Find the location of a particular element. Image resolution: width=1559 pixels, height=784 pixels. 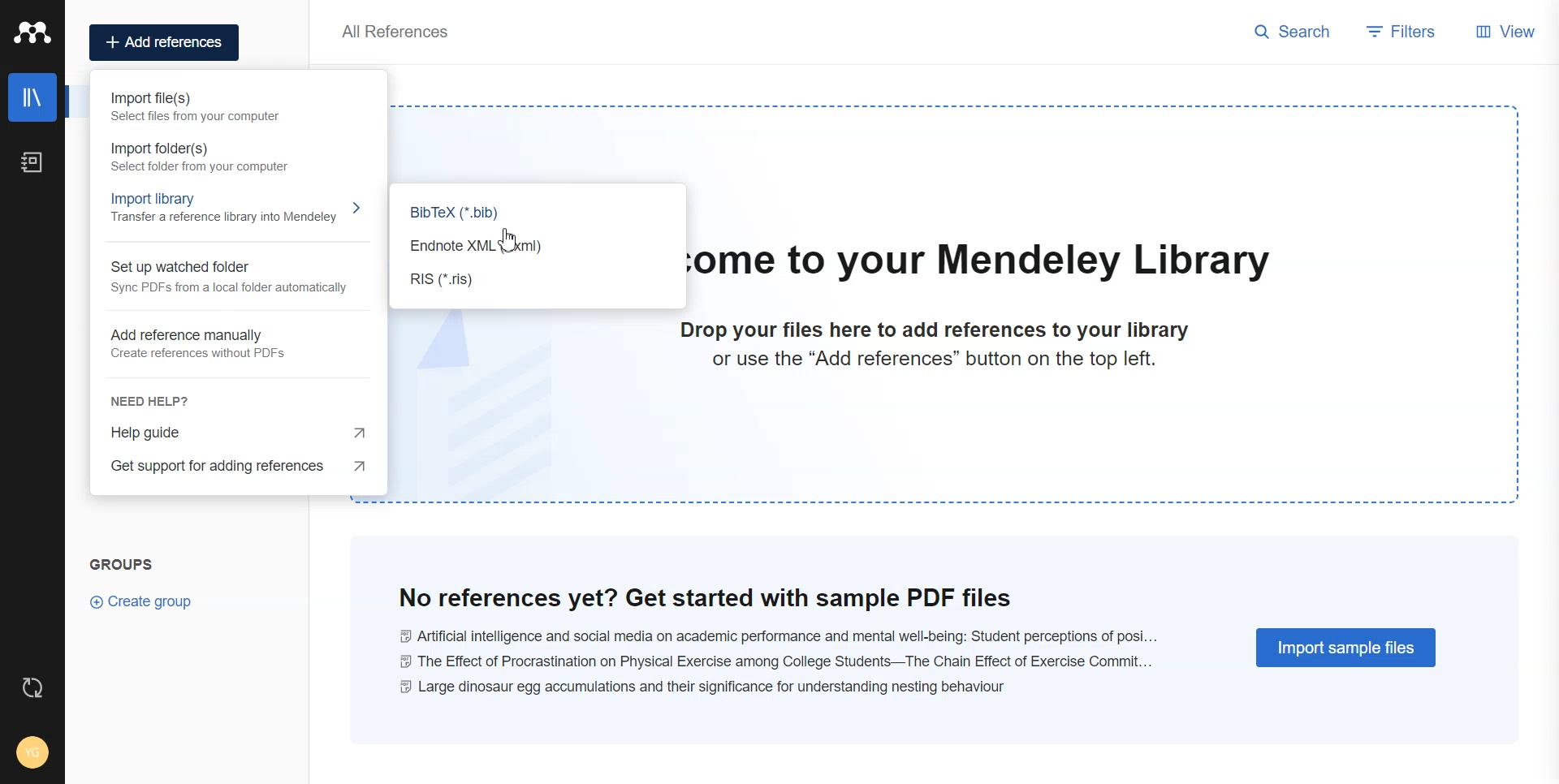

All References is located at coordinates (399, 31).